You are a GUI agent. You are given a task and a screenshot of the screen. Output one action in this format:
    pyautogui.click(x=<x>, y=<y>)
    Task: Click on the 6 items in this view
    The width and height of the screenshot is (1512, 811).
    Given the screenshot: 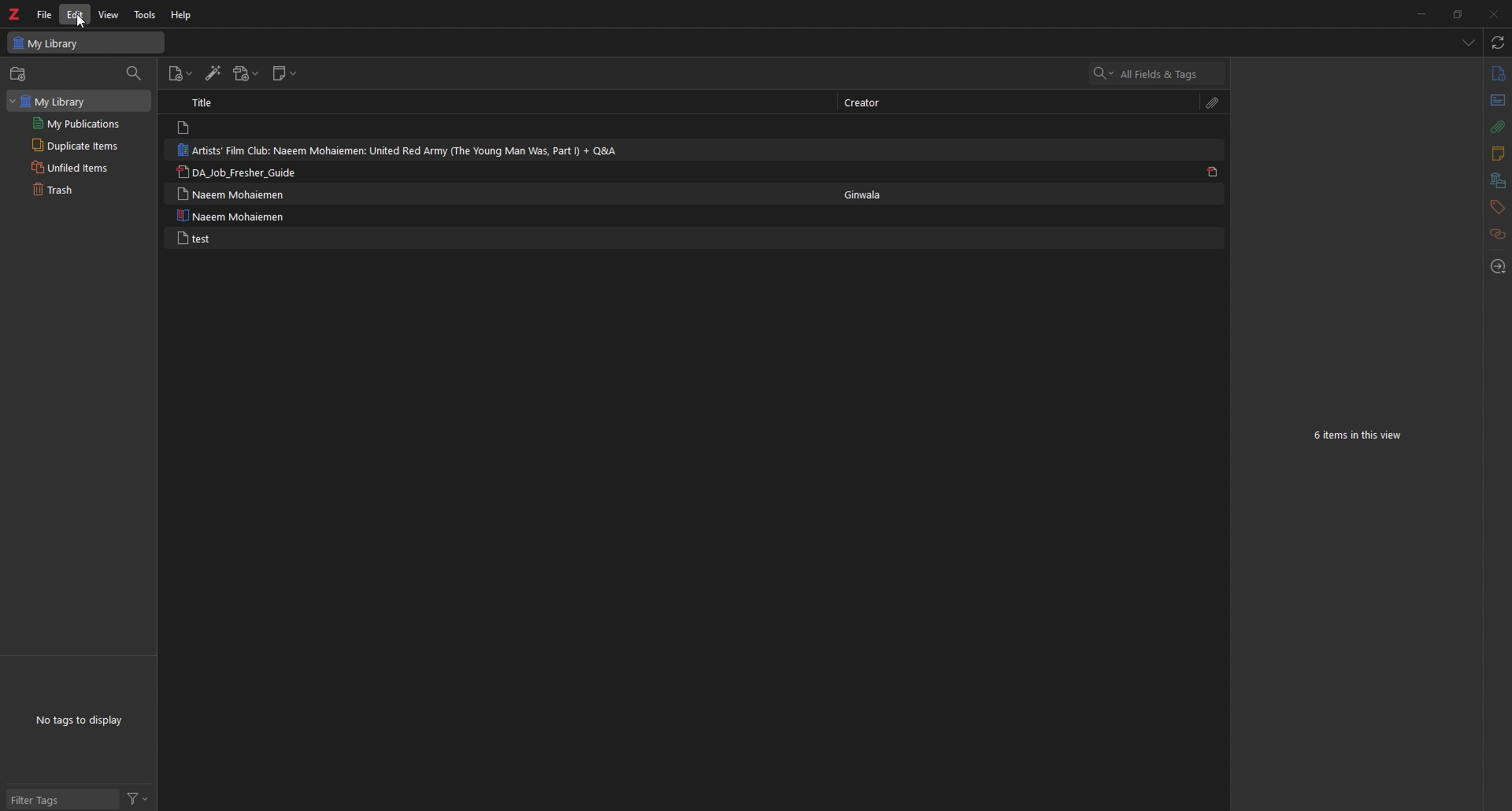 What is the action you would take?
    pyautogui.click(x=1361, y=436)
    